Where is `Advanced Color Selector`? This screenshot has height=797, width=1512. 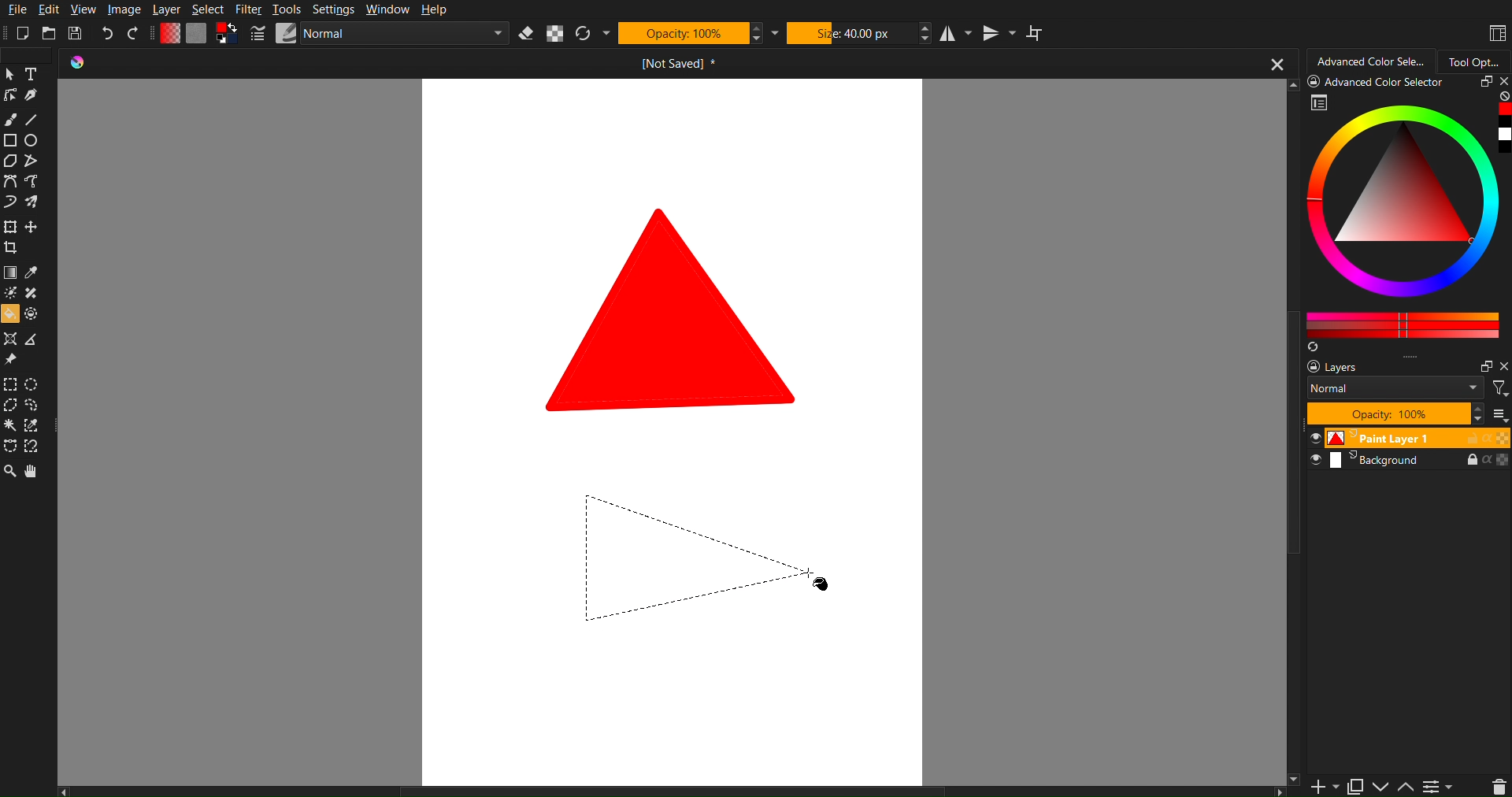
Advanced Color Selector is located at coordinates (1404, 213).